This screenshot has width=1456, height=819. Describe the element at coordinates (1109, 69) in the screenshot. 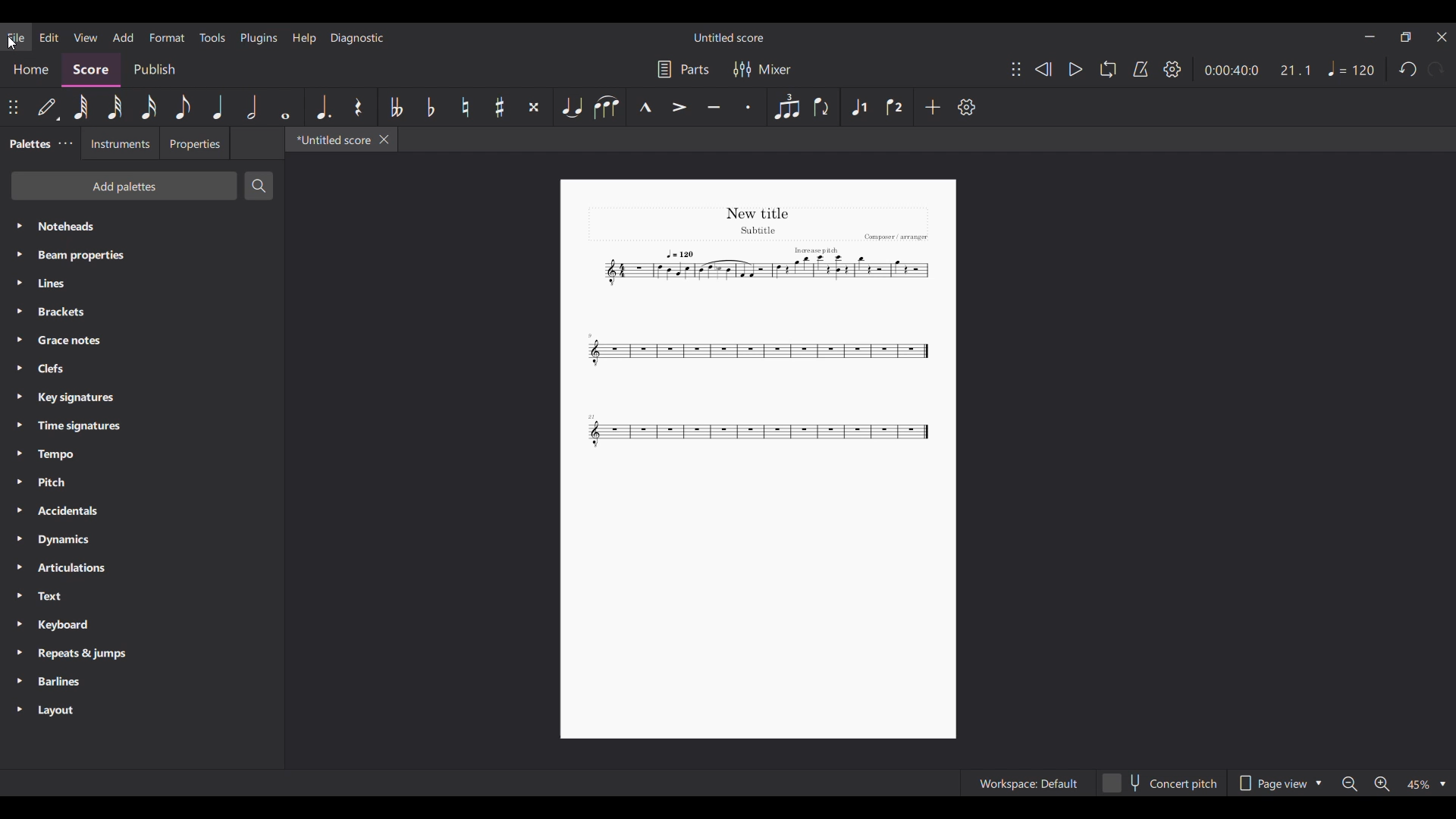

I see `Loop playback` at that location.